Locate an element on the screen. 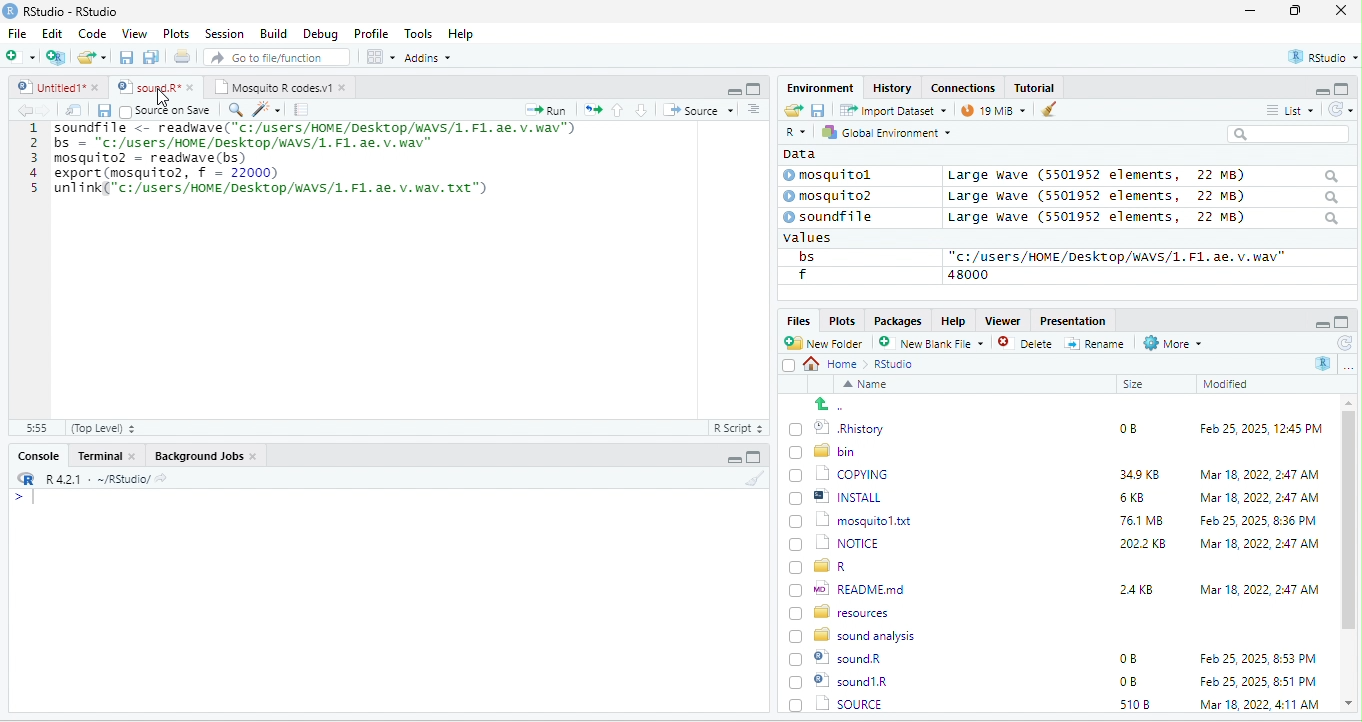 The image size is (1362, 722). BD resources is located at coordinates (843, 610).